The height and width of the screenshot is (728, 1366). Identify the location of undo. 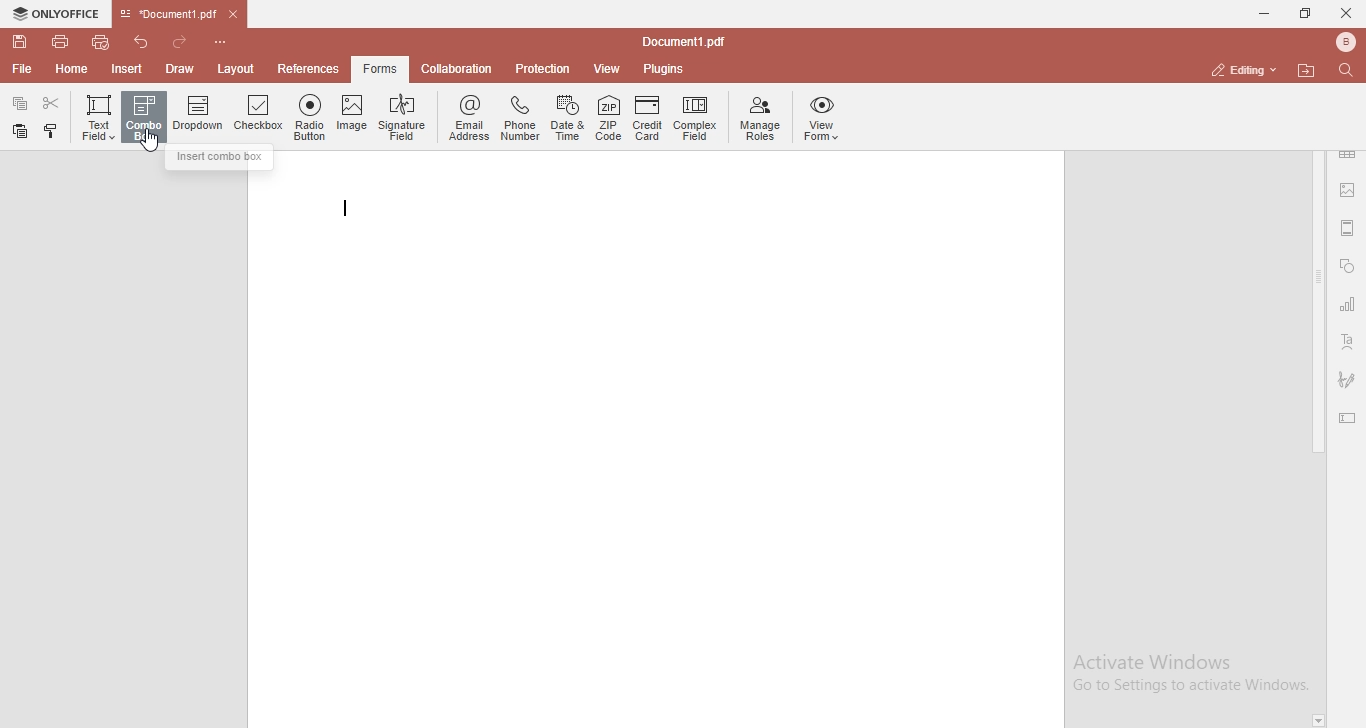
(144, 40).